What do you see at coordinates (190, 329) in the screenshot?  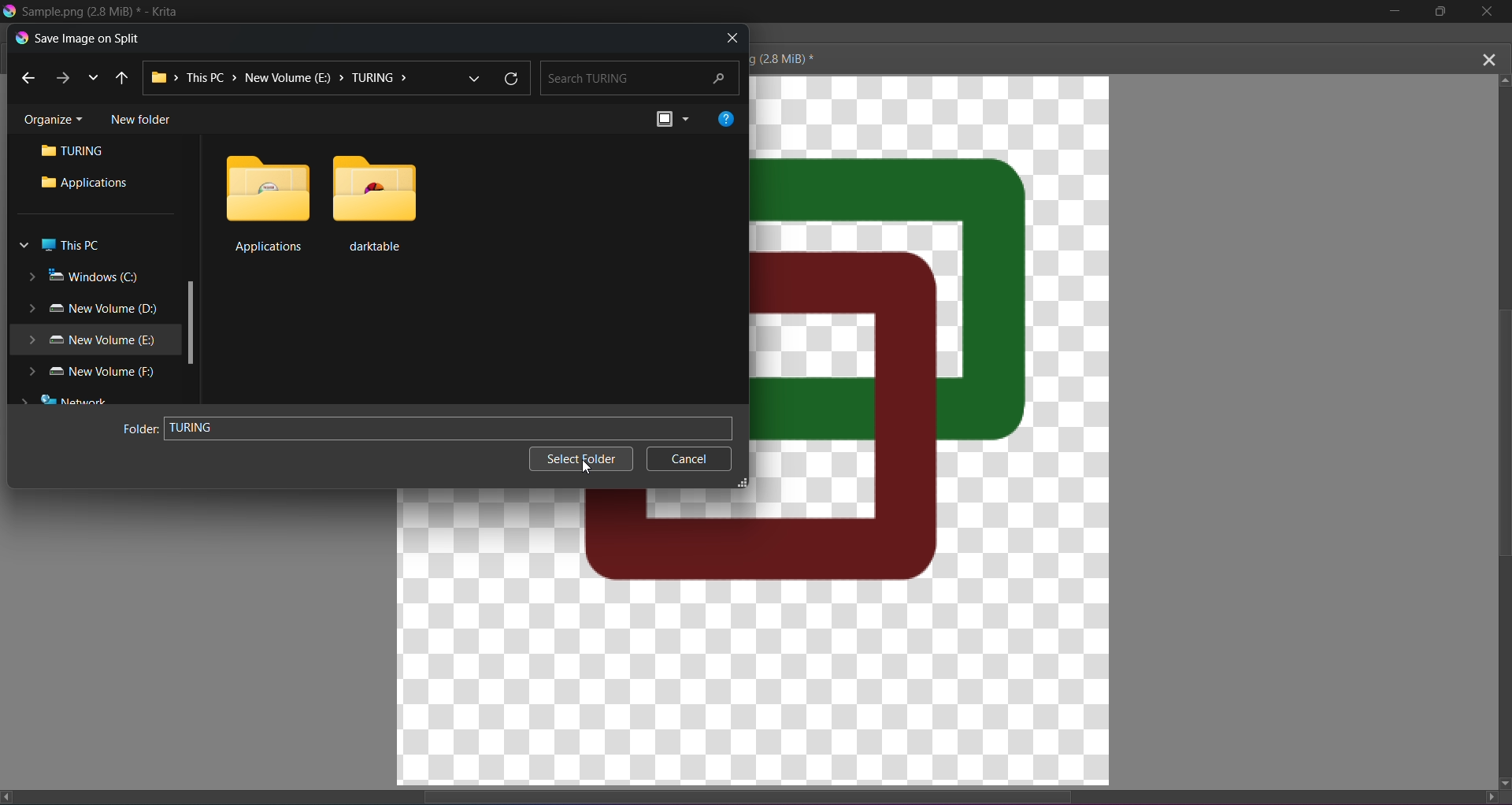 I see `Scrollbar` at bounding box center [190, 329].